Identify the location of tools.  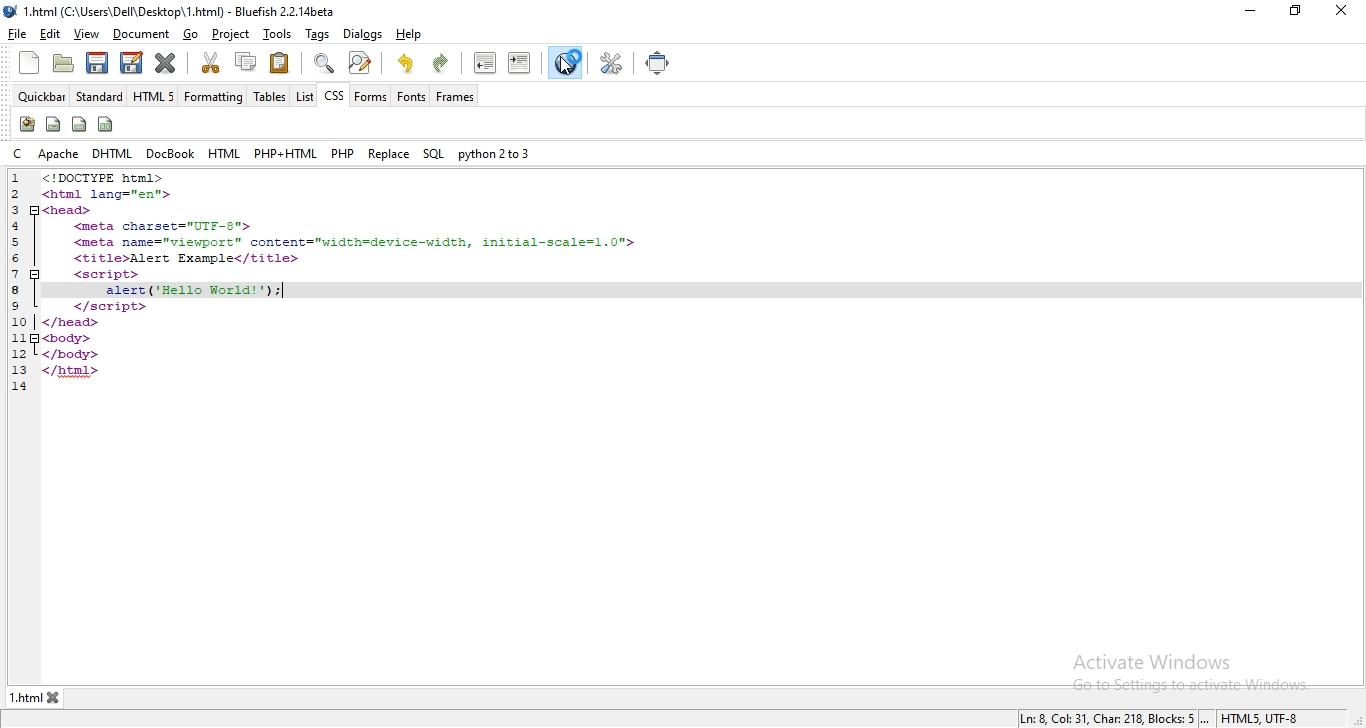
(277, 33).